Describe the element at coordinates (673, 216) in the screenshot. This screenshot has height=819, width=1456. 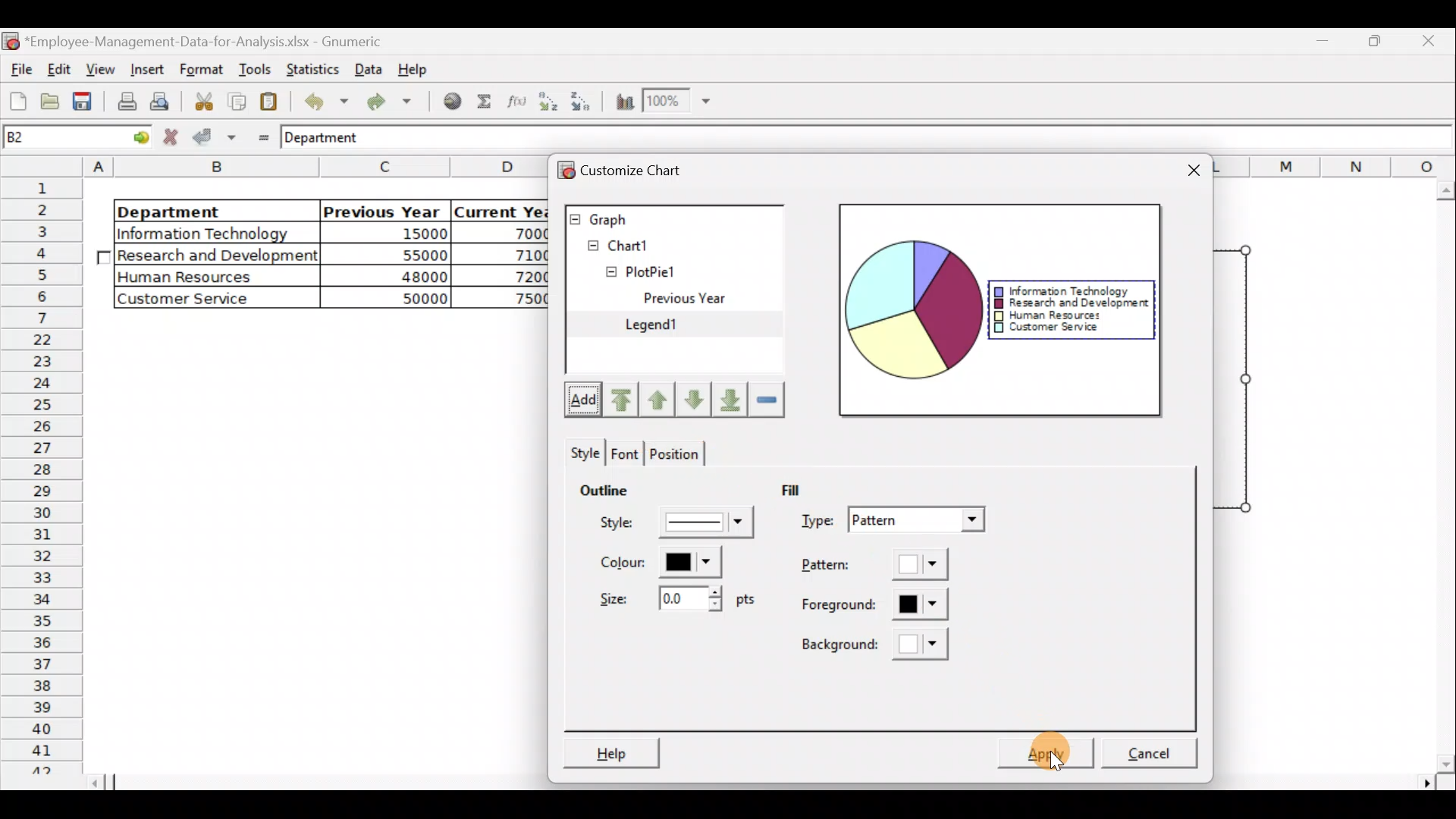
I see `Graph` at that location.